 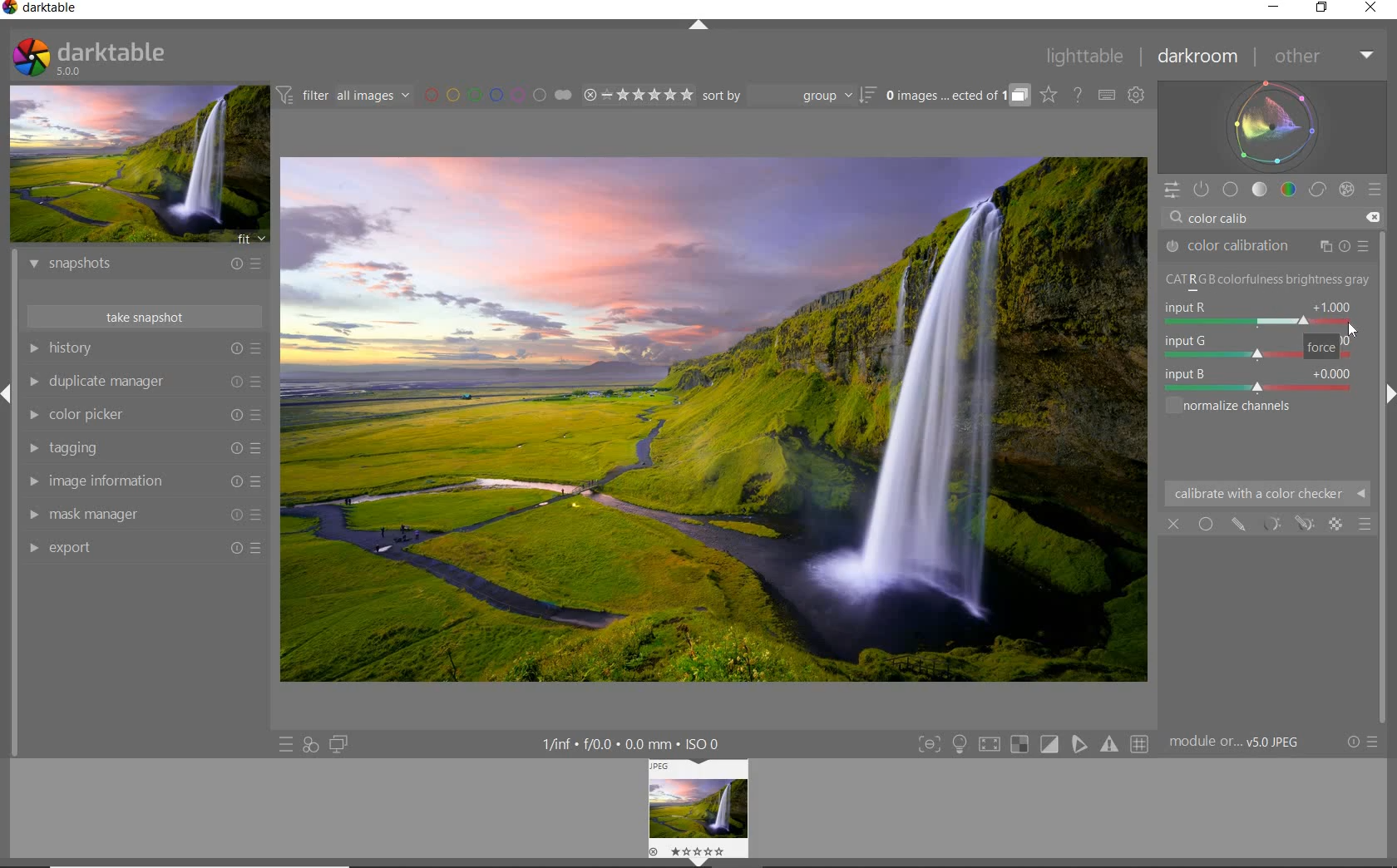 I want to click on CALIBRATE WITH A COLOR CHECKER, so click(x=1267, y=493).